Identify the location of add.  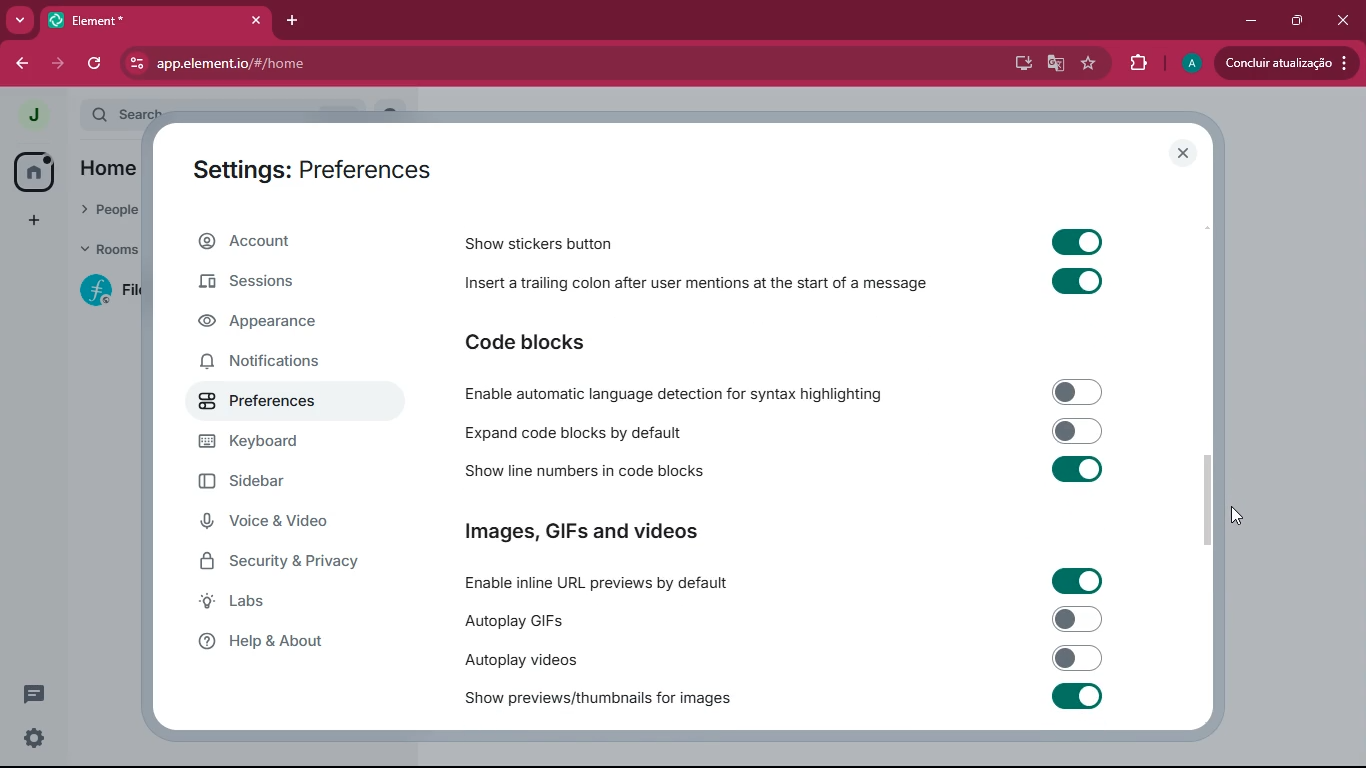
(30, 221).